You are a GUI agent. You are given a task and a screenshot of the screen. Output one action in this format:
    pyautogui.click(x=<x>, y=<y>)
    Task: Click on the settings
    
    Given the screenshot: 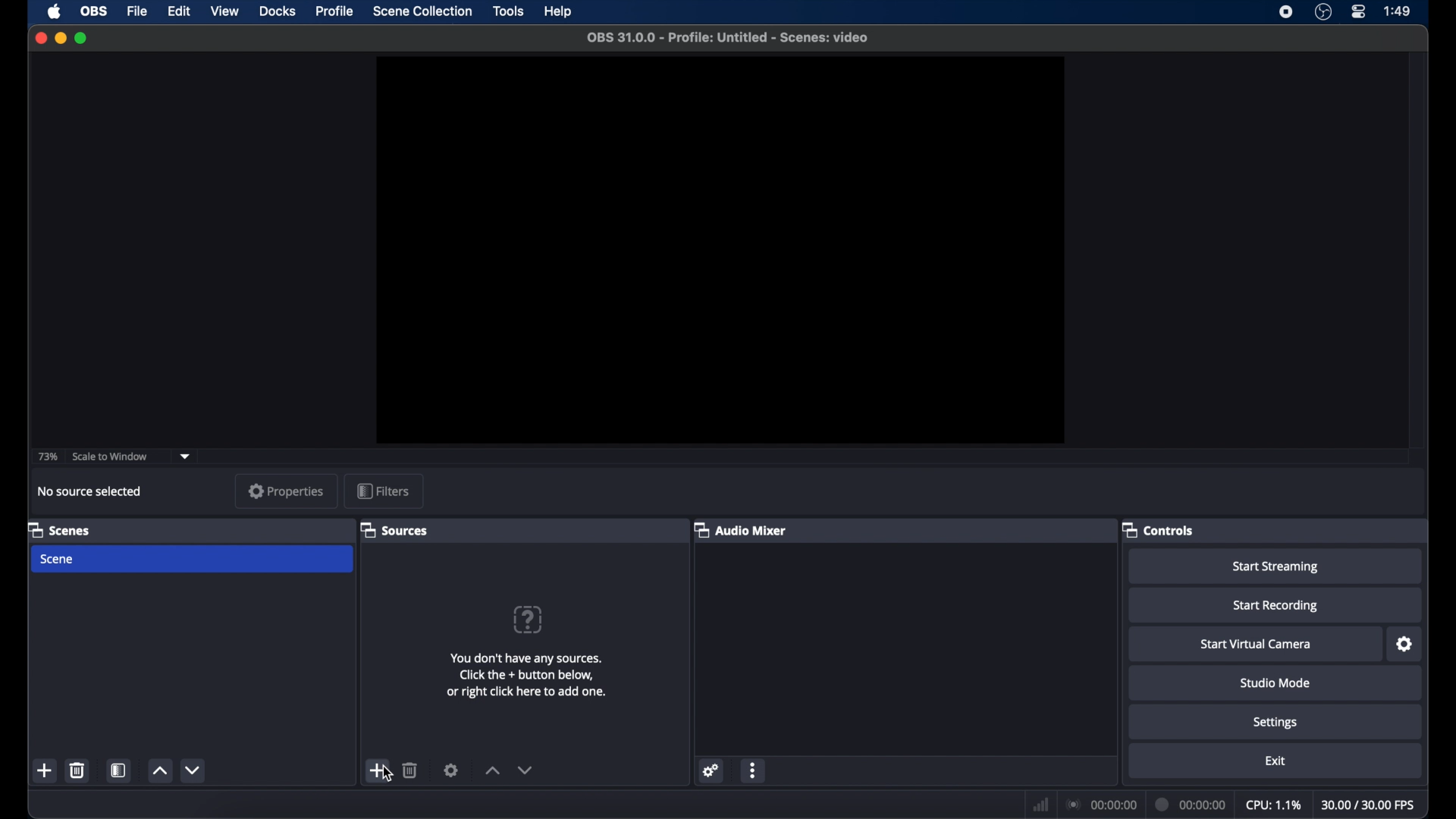 What is the action you would take?
    pyautogui.click(x=1405, y=644)
    